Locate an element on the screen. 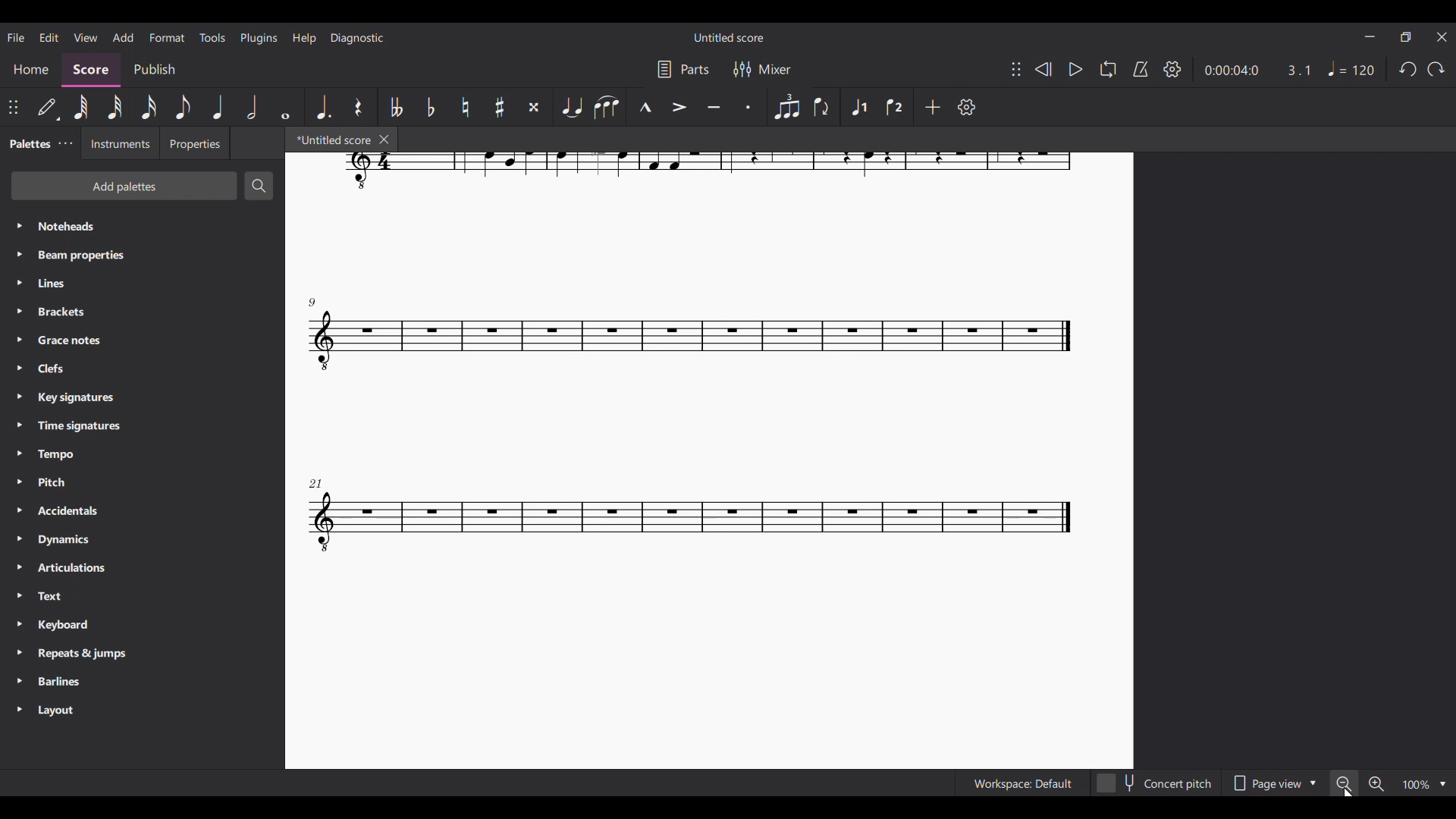 Image resolution: width=1456 pixels, height=819 pixels. Change position is located at coordinates (1016, 69).